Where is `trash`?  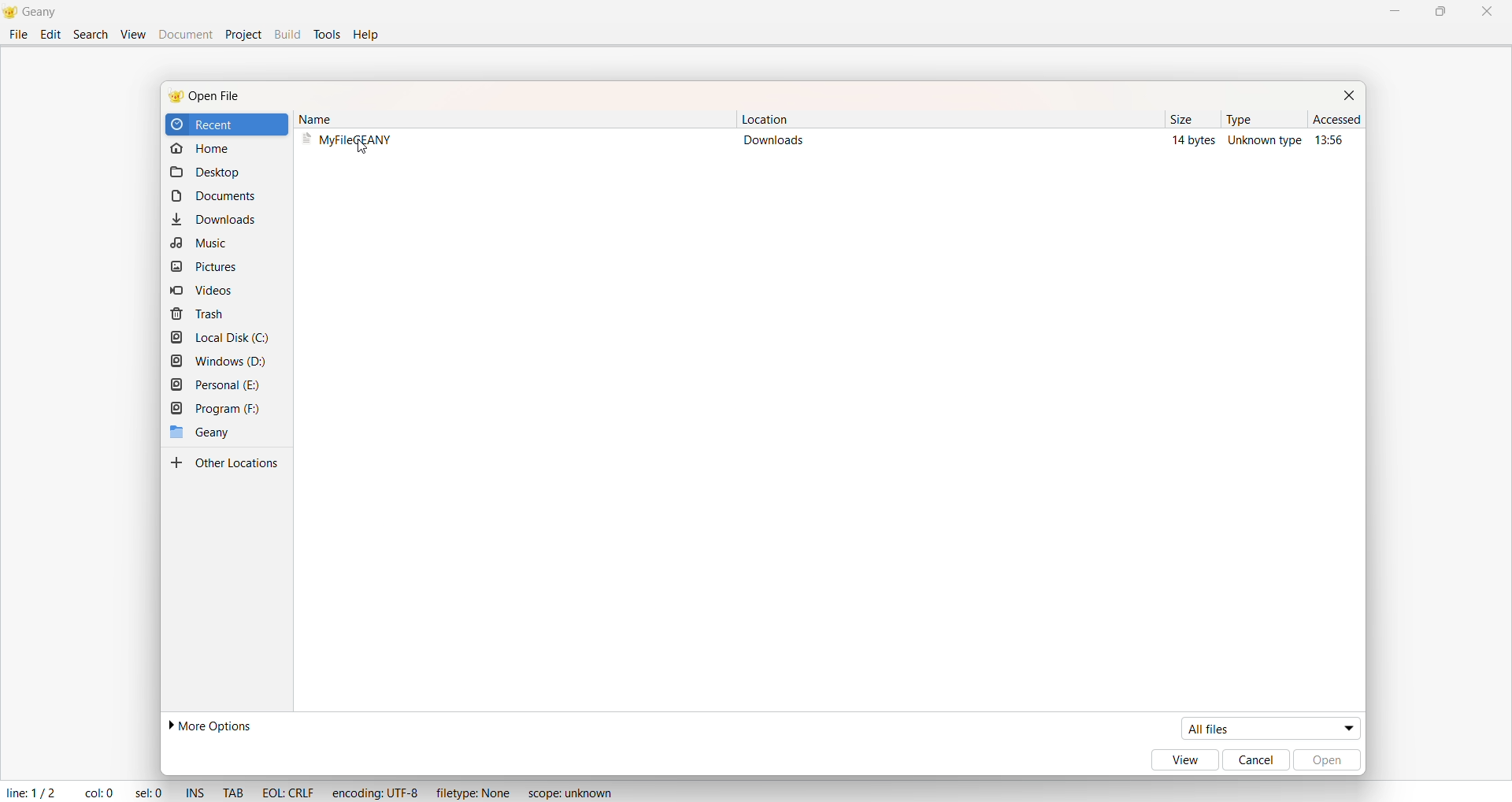
trash is located at coordinates (195, 315).